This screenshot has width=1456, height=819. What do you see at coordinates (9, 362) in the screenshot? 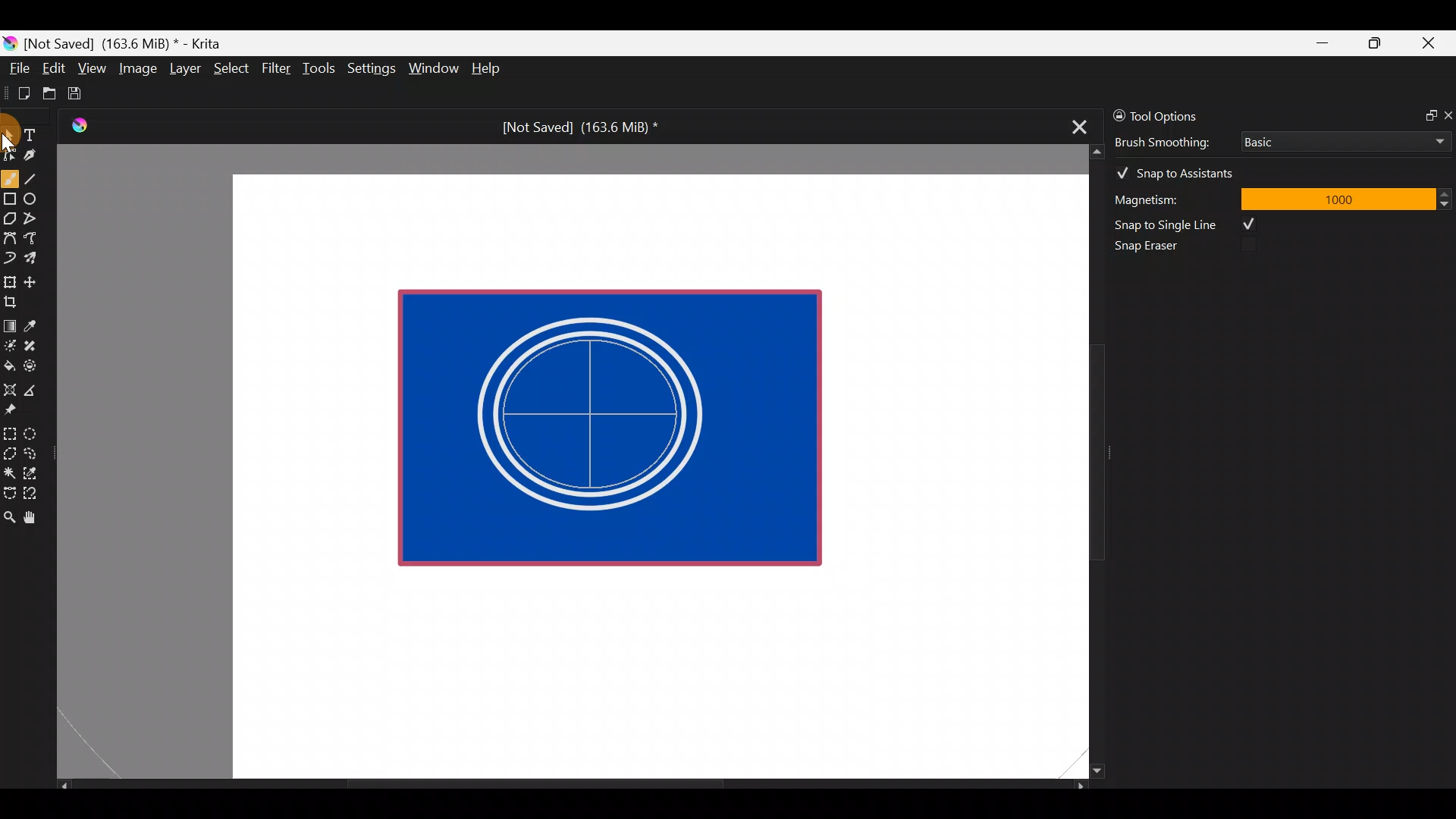
I see `Fill a contiguous area of colour with colour/fill a selection` at bounding box center [9, 362].